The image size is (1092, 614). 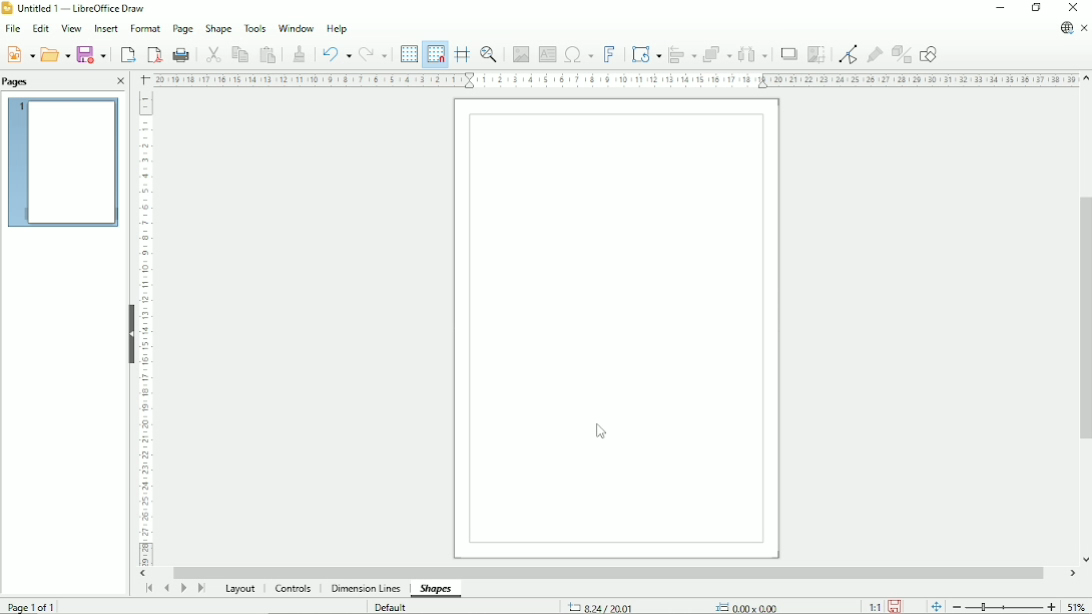 I want to click on Edit, so click(x=41, y=29).